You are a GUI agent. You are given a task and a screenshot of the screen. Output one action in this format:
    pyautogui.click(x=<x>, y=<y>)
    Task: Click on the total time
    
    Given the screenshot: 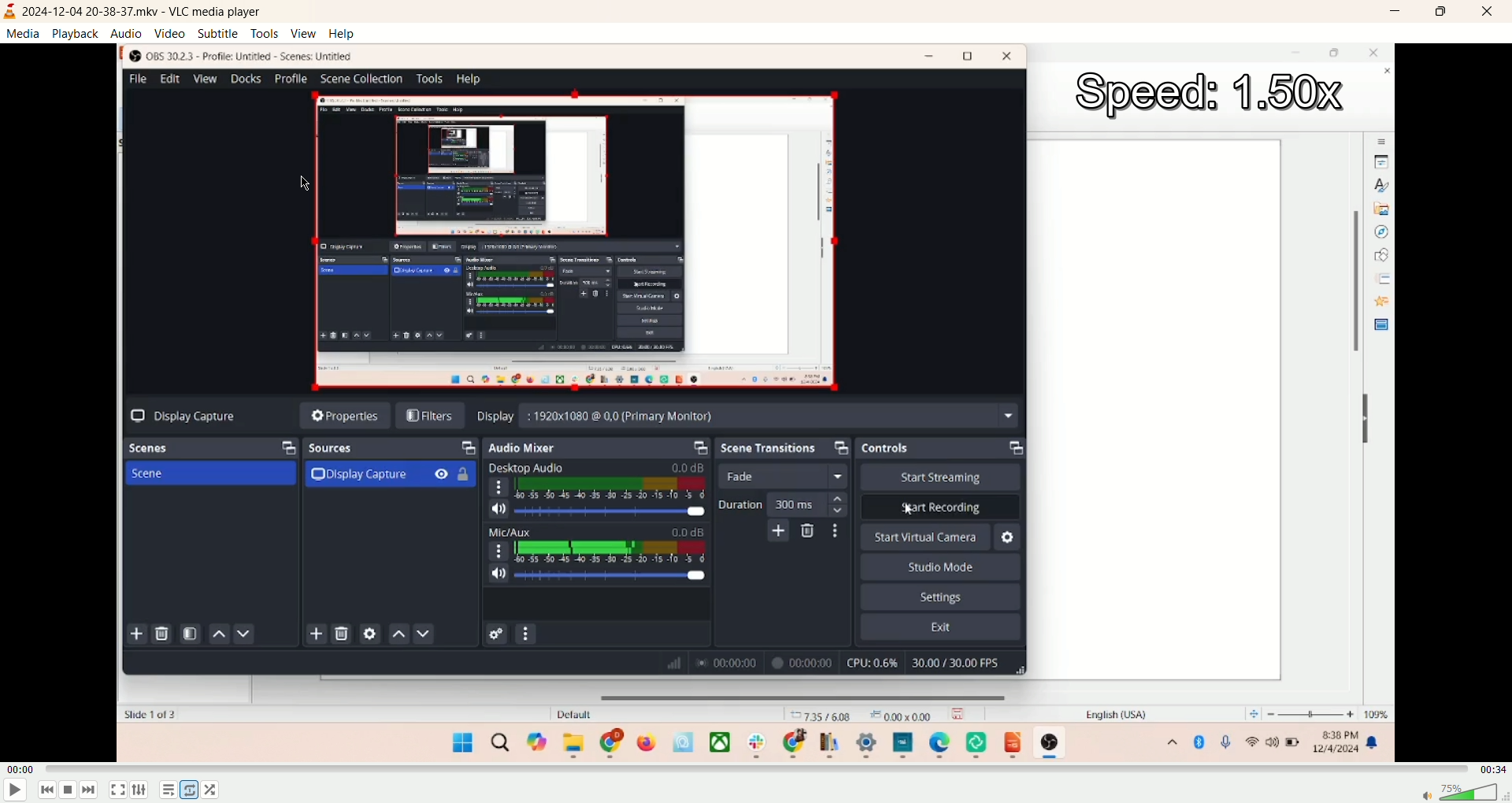 What is the action you would take?
    pyautogui.click(x=1492, y=768)
    